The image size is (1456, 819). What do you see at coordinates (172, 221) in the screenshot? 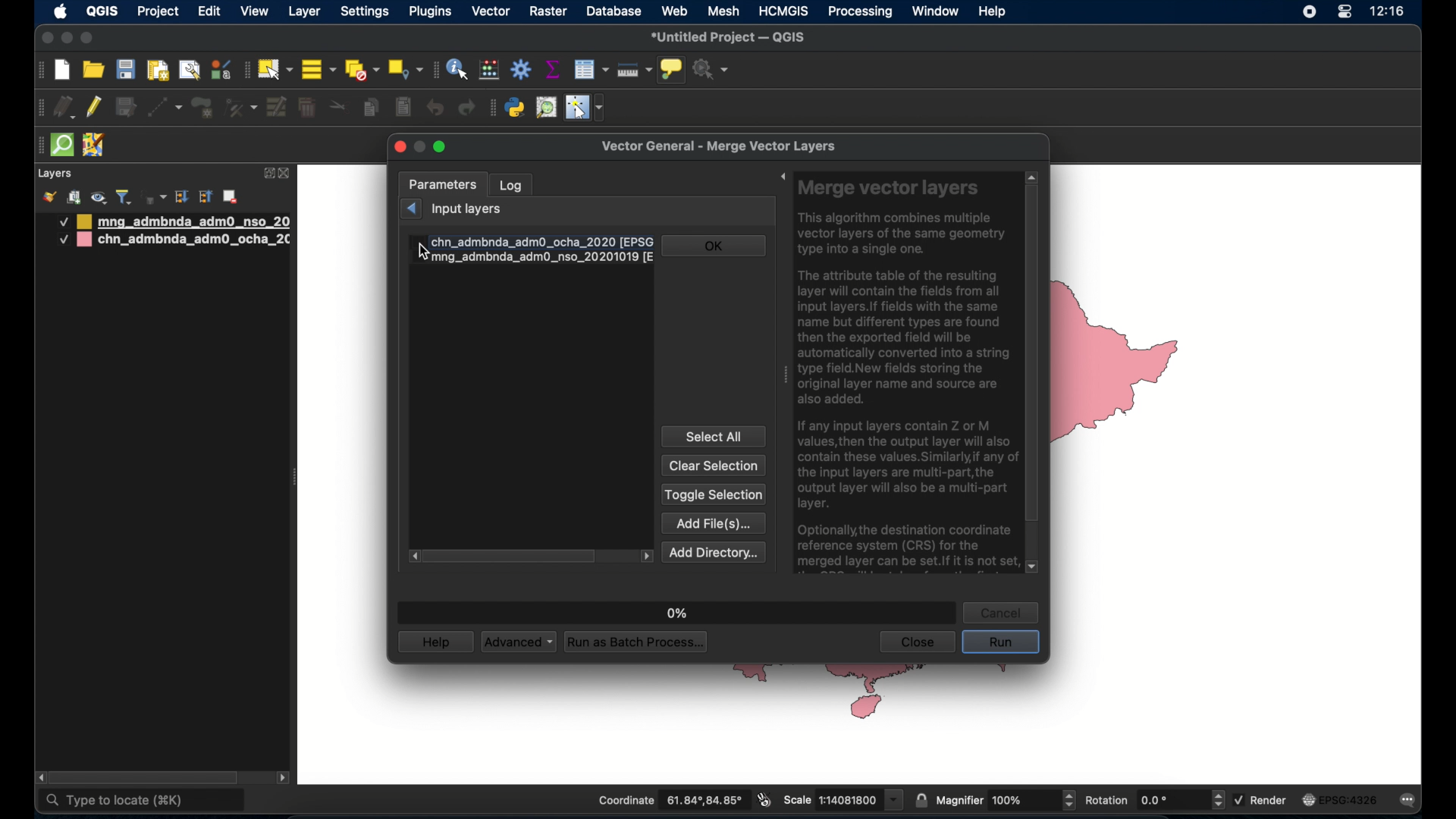
I see `mongolia administrative boundary layer 1` at bounding box center [172, 221].